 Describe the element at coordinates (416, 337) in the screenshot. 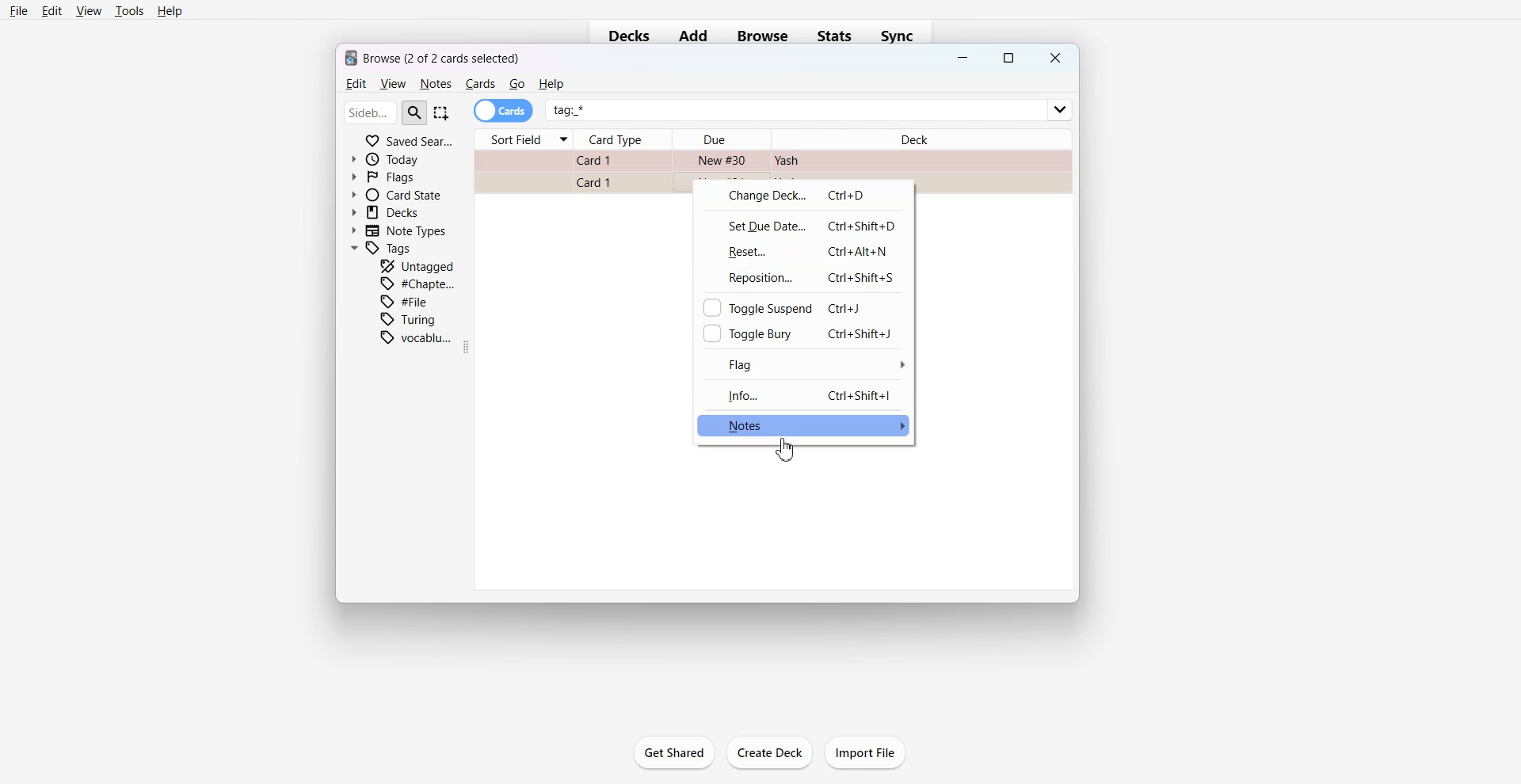

I see `Vocabulary` at that location.